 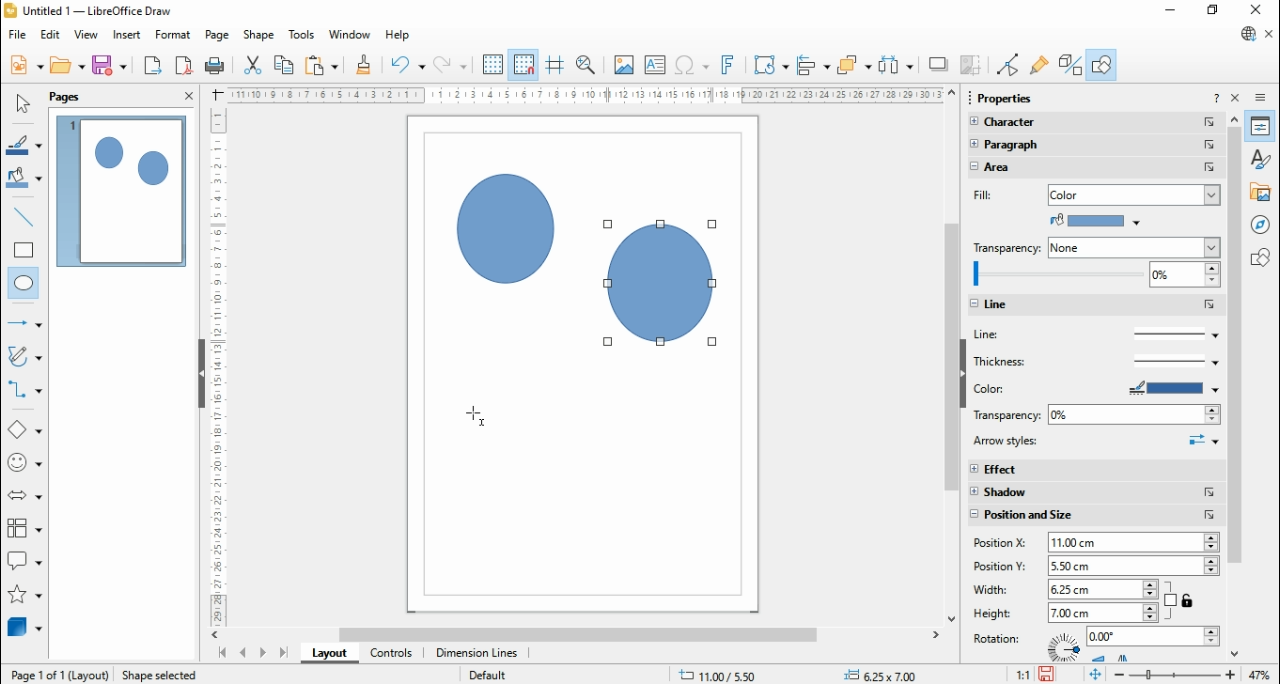 I want to click on paint bucket color, so click(x=1096, y=220).